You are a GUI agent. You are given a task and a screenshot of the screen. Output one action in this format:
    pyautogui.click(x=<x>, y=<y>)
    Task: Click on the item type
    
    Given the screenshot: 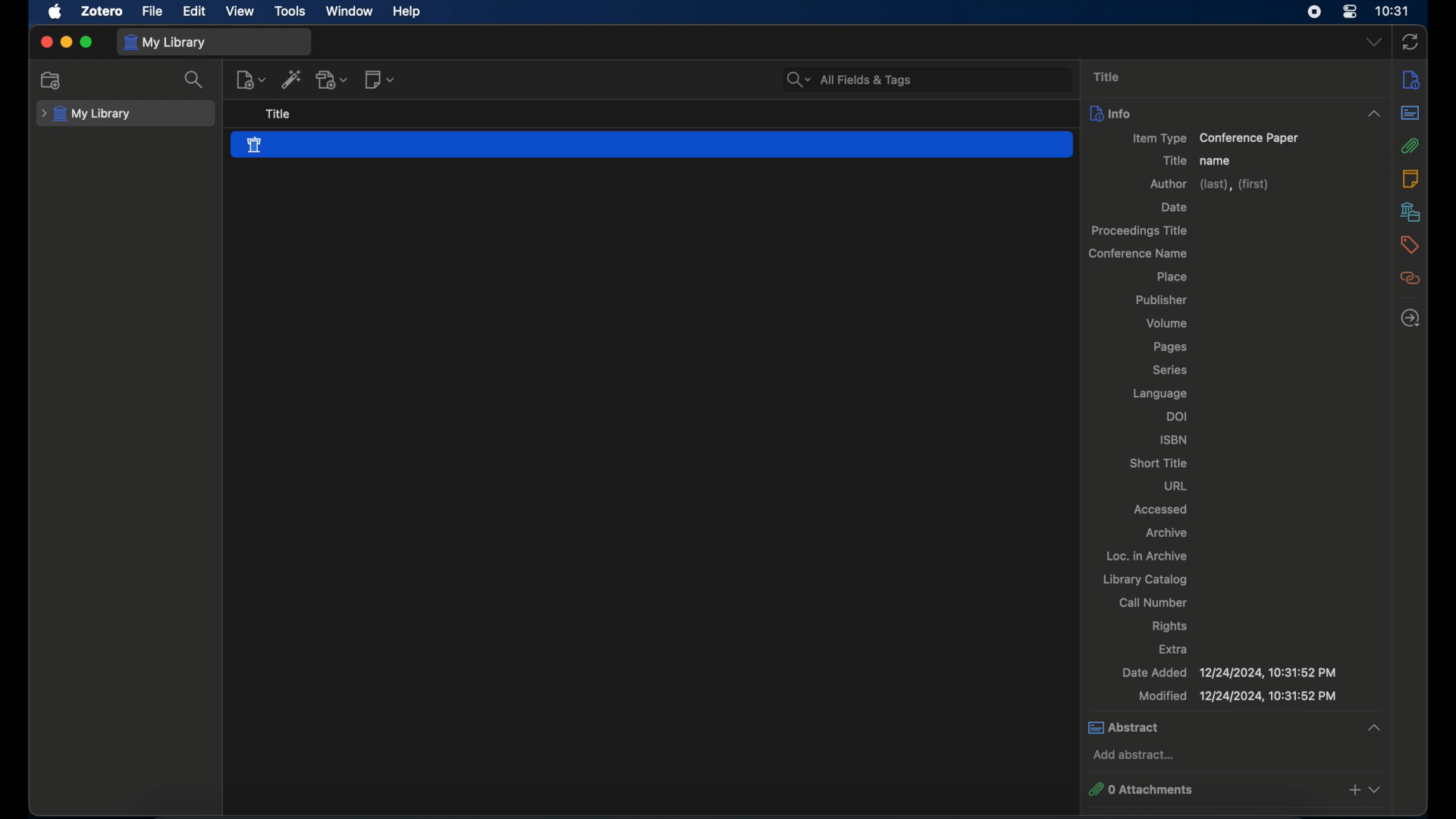 What is the action you would take?
    pyautogui.click(x=1215, y=139)
    